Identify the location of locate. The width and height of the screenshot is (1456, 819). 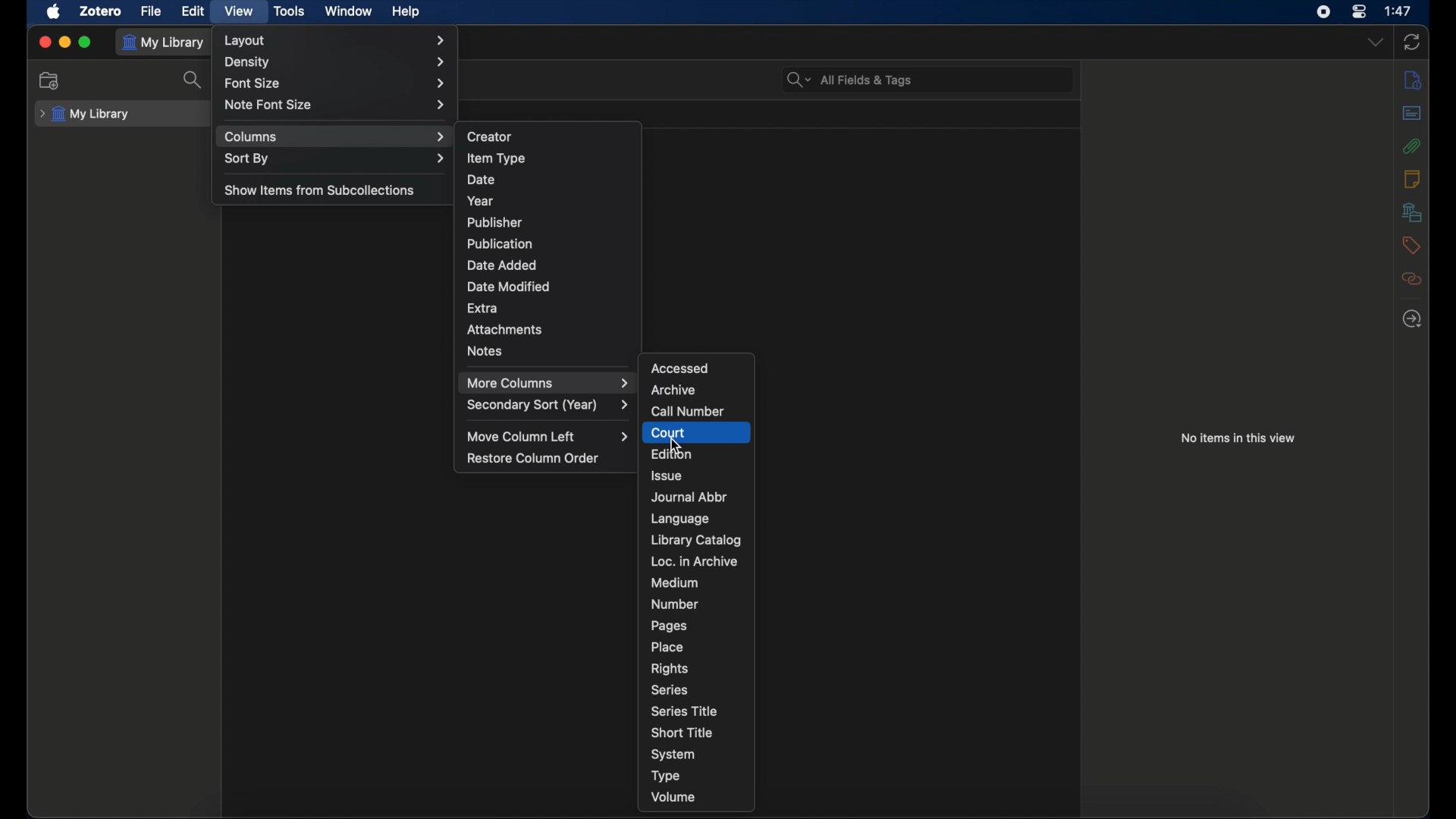
(1412, 318).